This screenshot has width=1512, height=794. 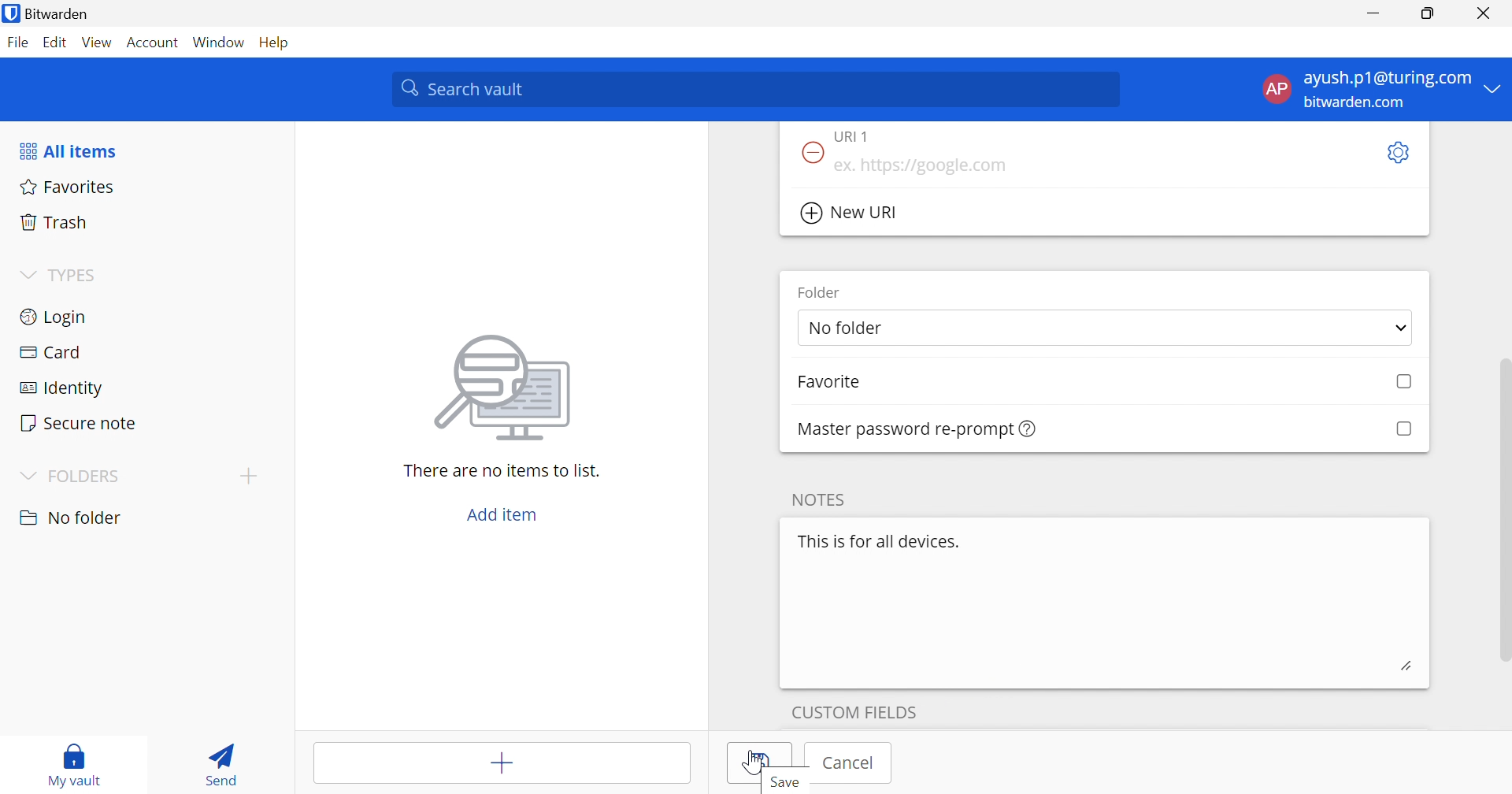 What do you see at coordinates (816, 499) in the screenshot?
I see `NOTES` at bounding box center [816, 499].